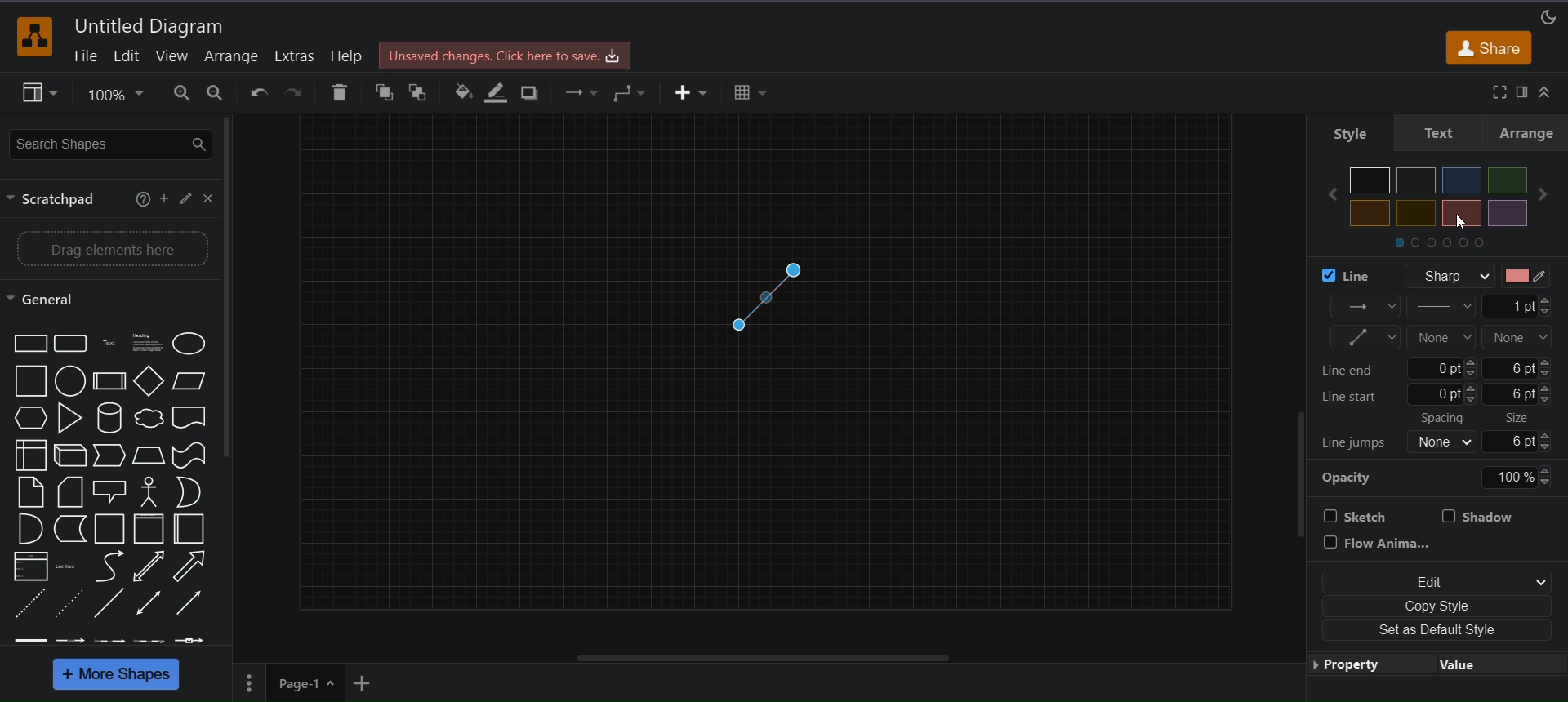  Describe the element at coordinates (768, 296) in the screenshot. I see `red connector line color ` at that location.